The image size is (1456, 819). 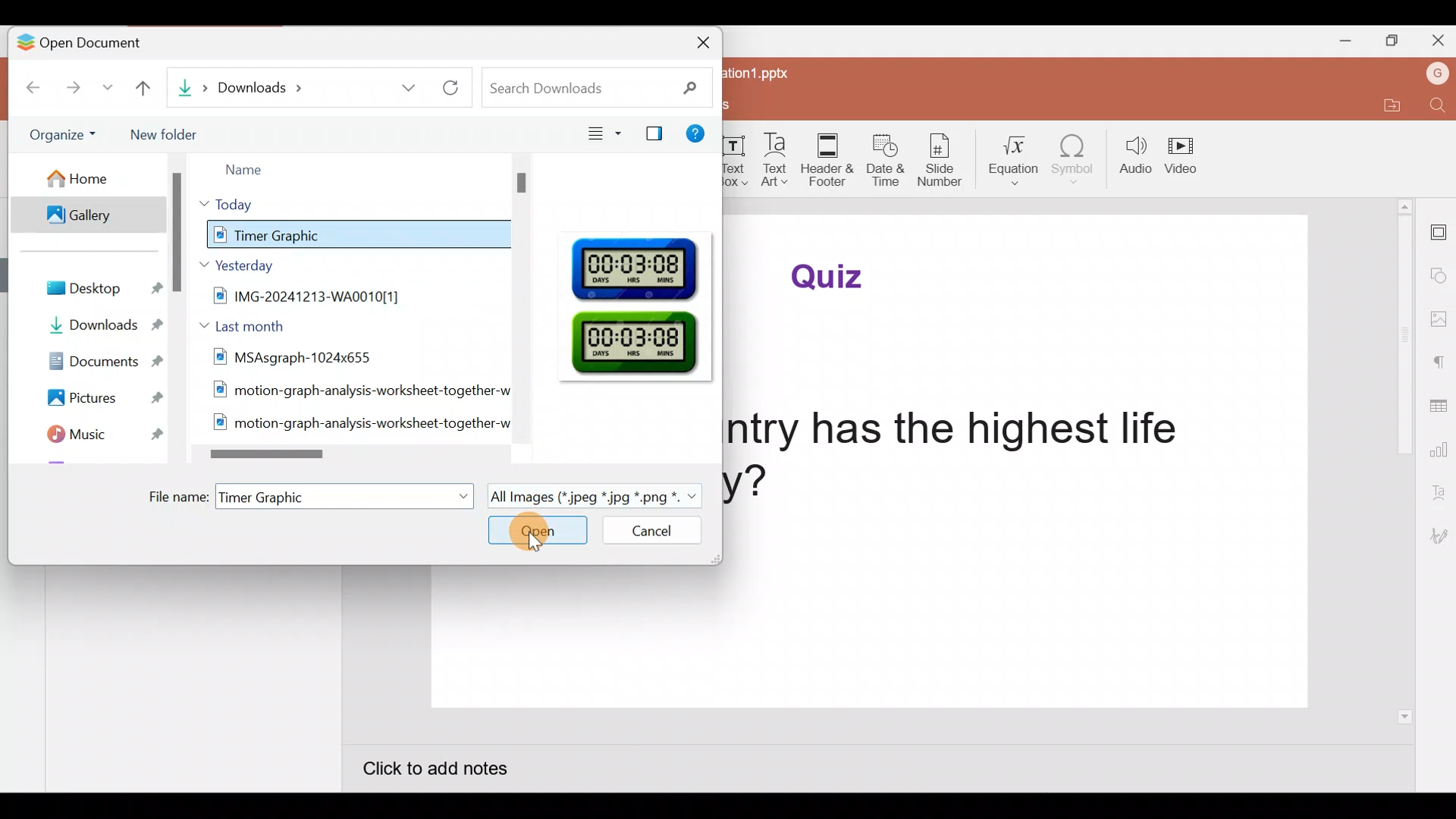 What do you see at coordinates (538, 536) in the screenshot?
I see `Open` at bounding box center [538, 536].